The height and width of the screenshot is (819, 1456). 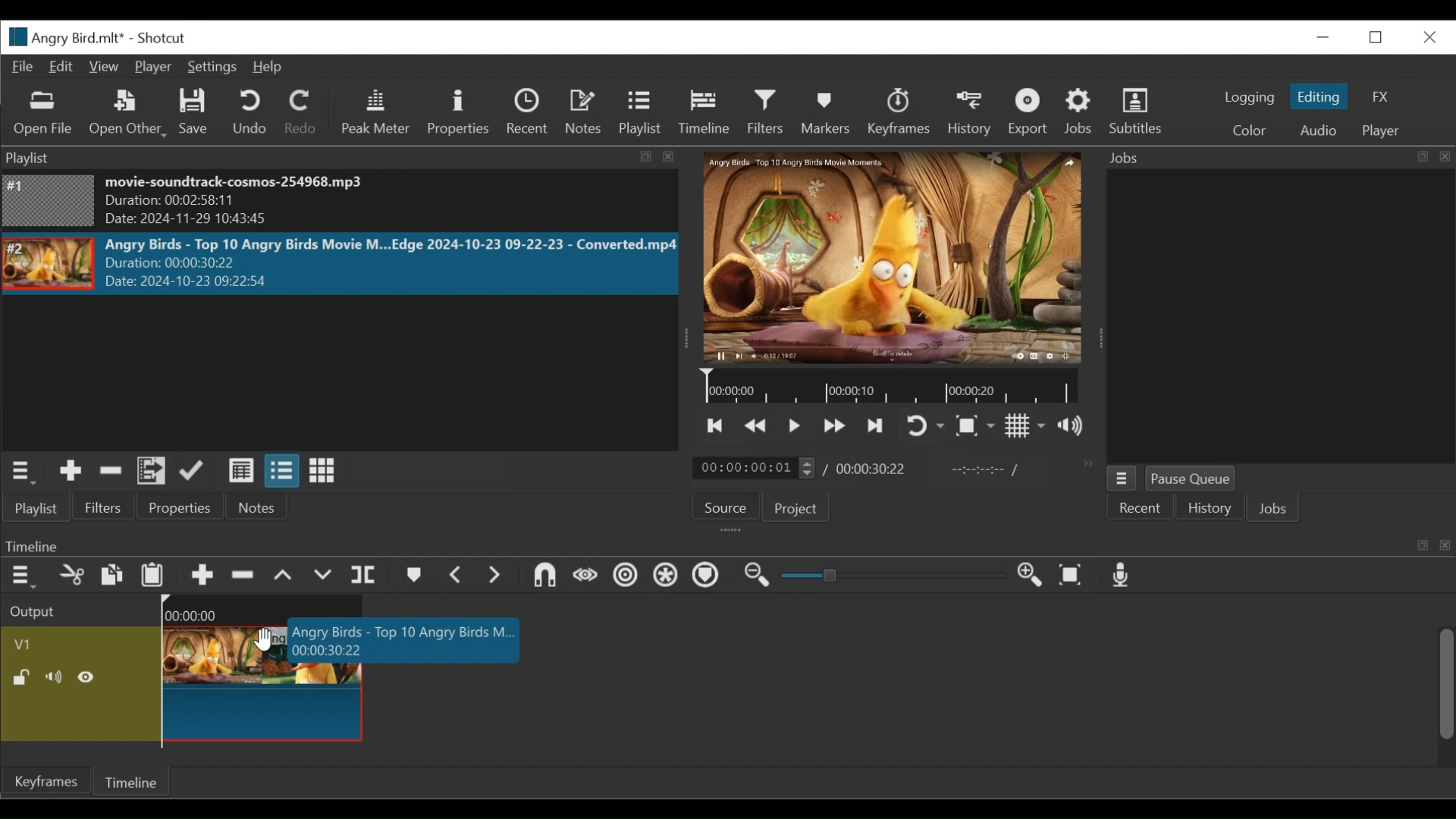 I want to click on Pause Queue, so click(x=1195, y=479).